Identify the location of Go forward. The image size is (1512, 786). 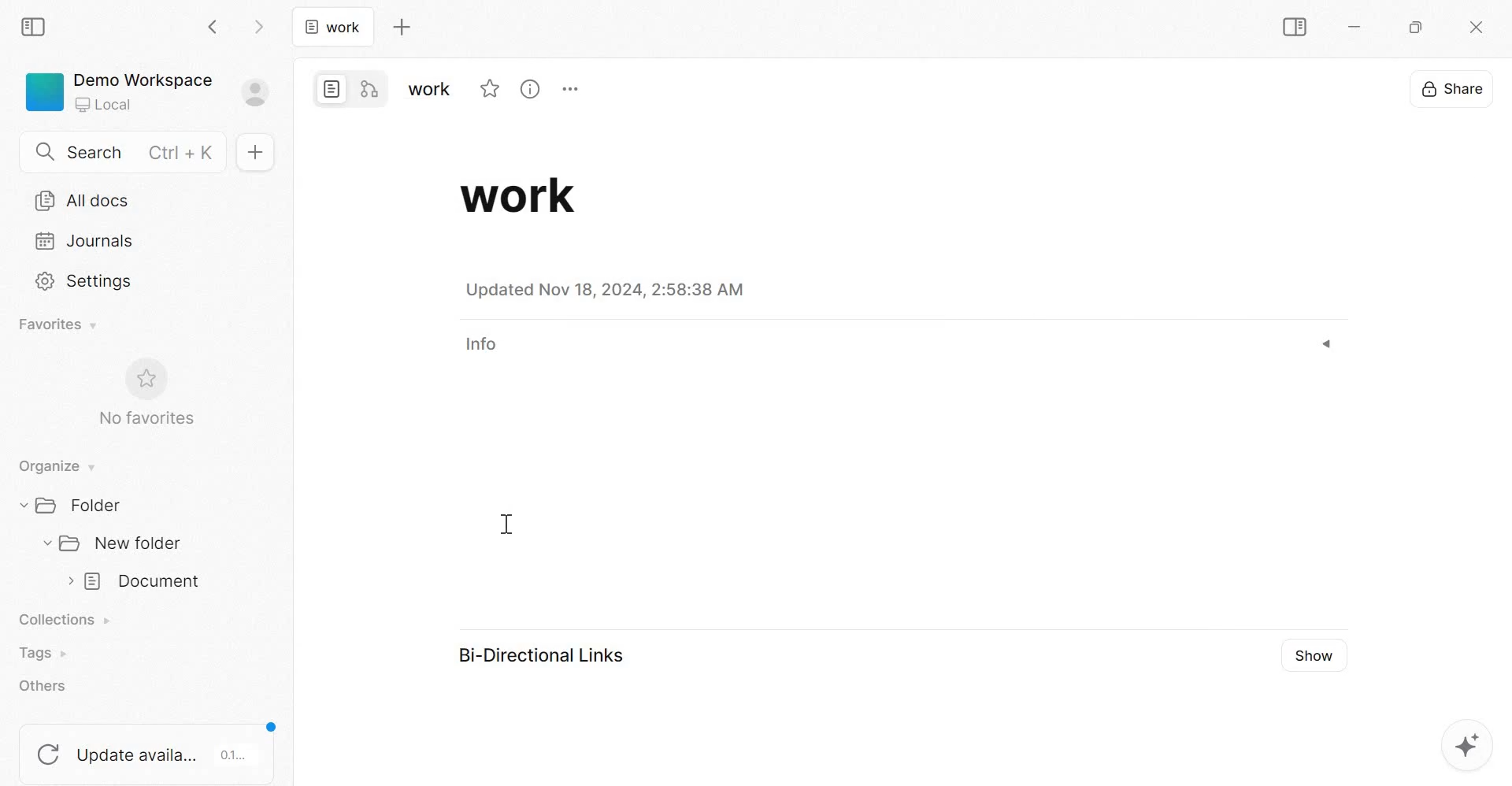
(259, 25).